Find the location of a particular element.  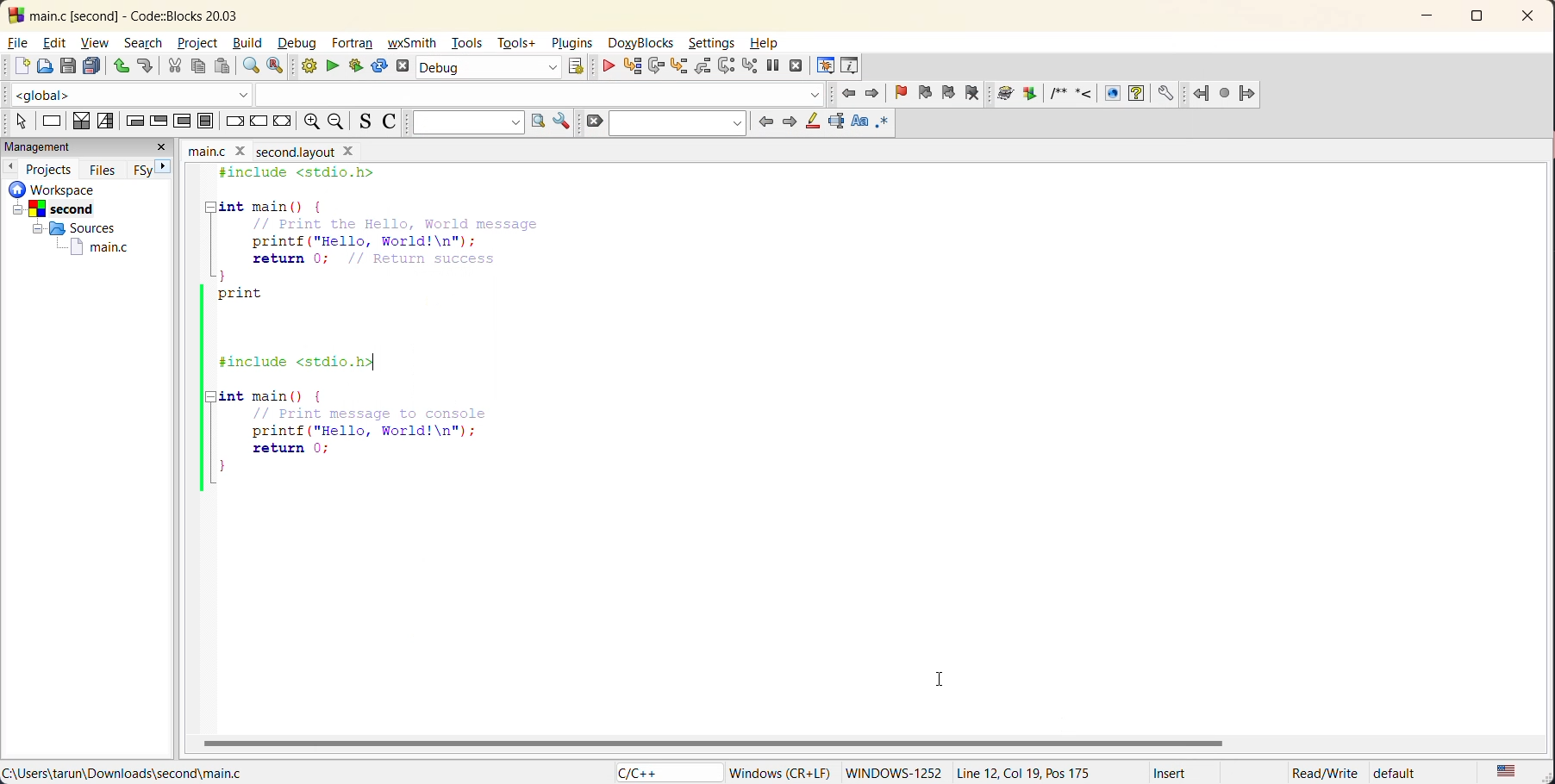

next bookmark is located at coordinates (947, 93).